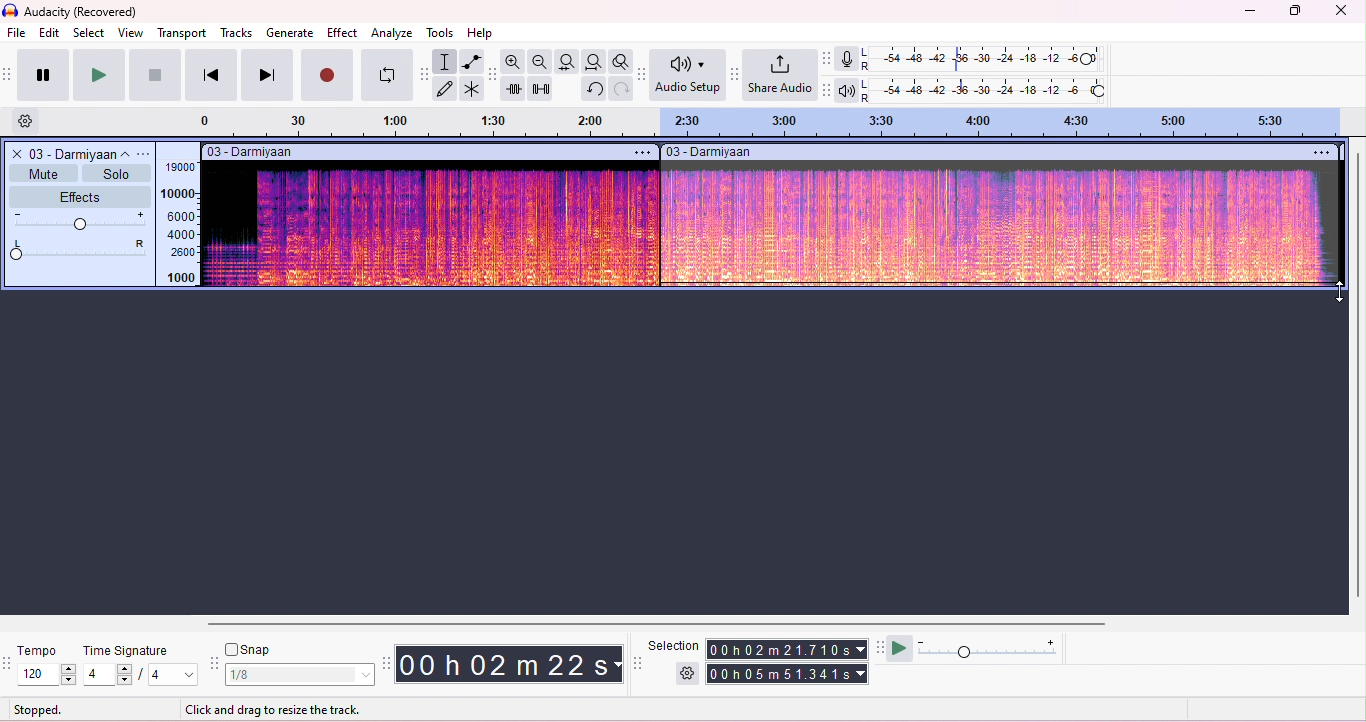  I want to click on draw, so click(447, 89).